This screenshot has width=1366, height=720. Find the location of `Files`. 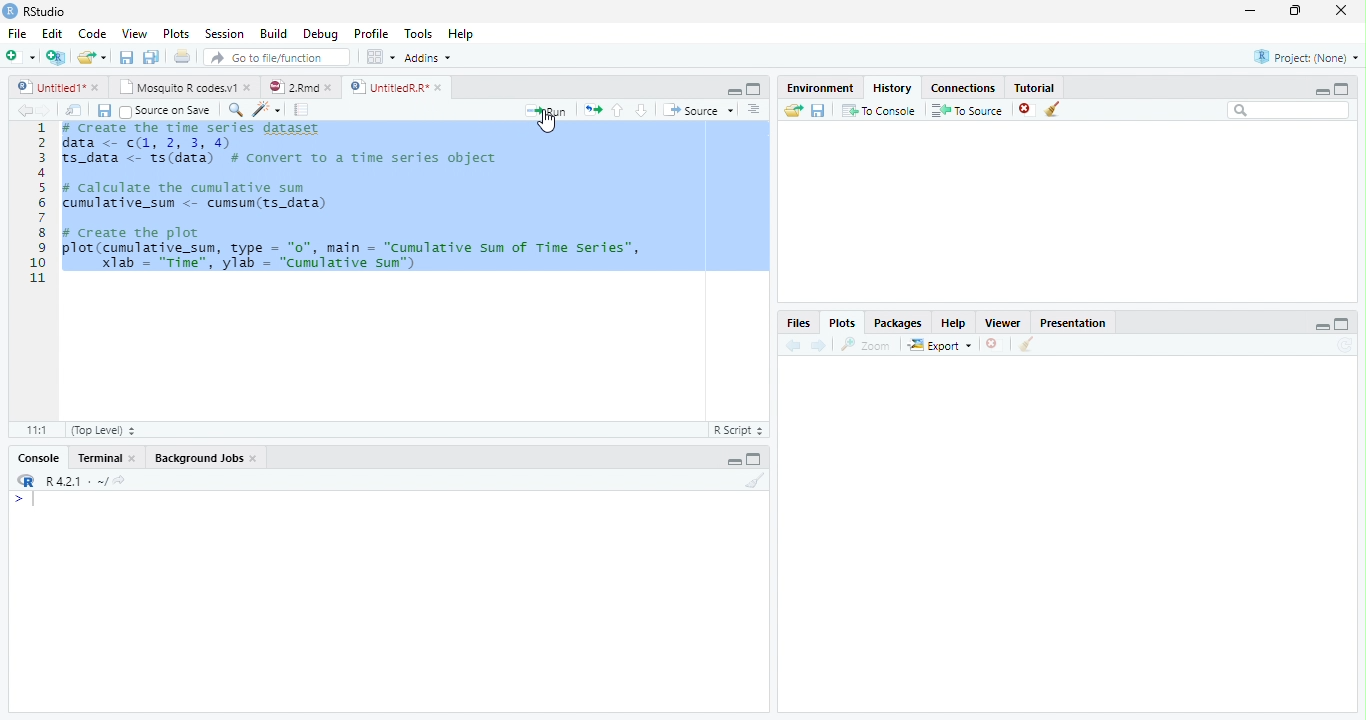

Files is located at coordinates (802, 323).